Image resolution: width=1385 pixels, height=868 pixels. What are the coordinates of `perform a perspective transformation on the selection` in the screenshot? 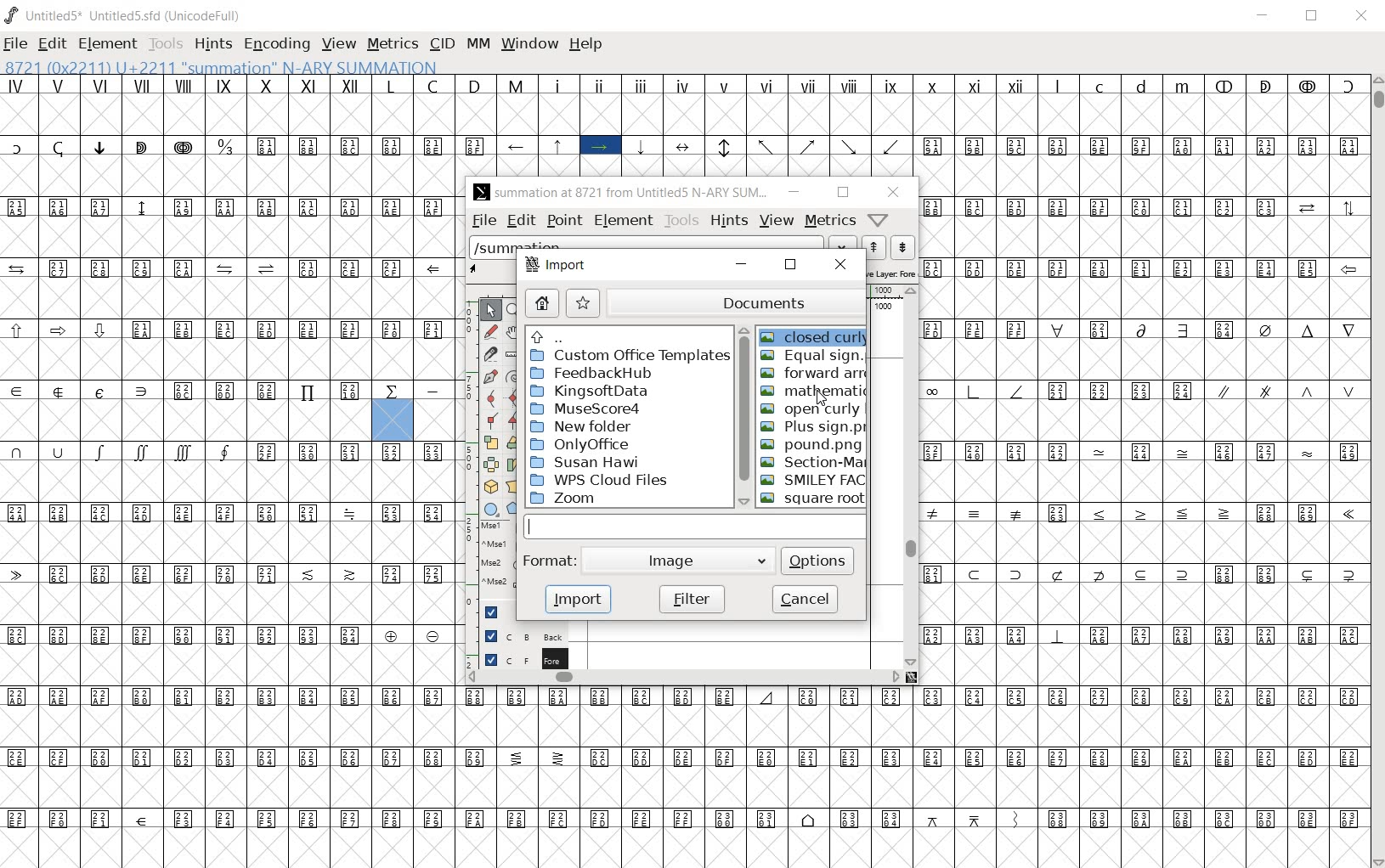 It's located at (515, 488).